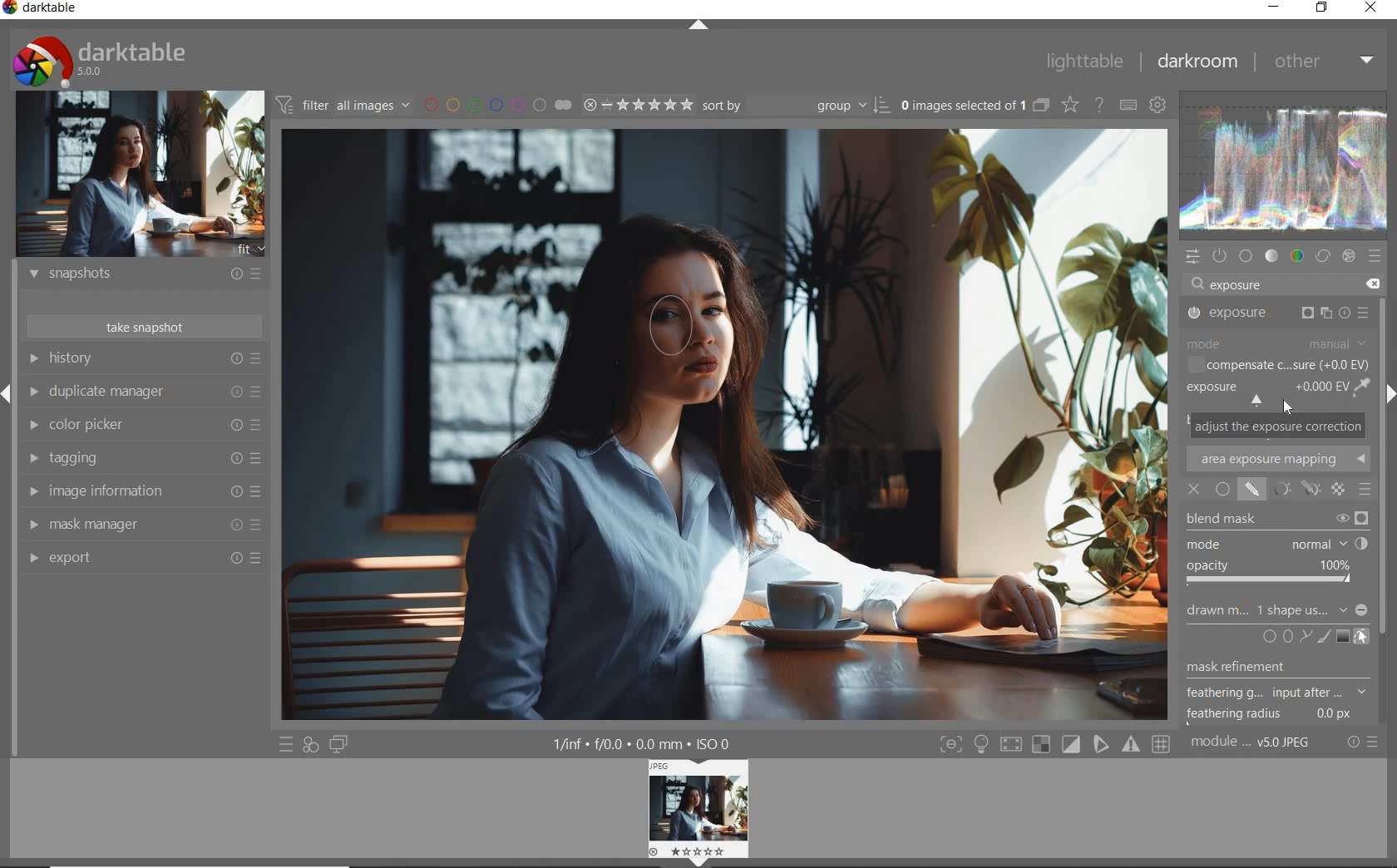 This screenshot has height=868, width=1397. I want to click on export, so click(144, 557).